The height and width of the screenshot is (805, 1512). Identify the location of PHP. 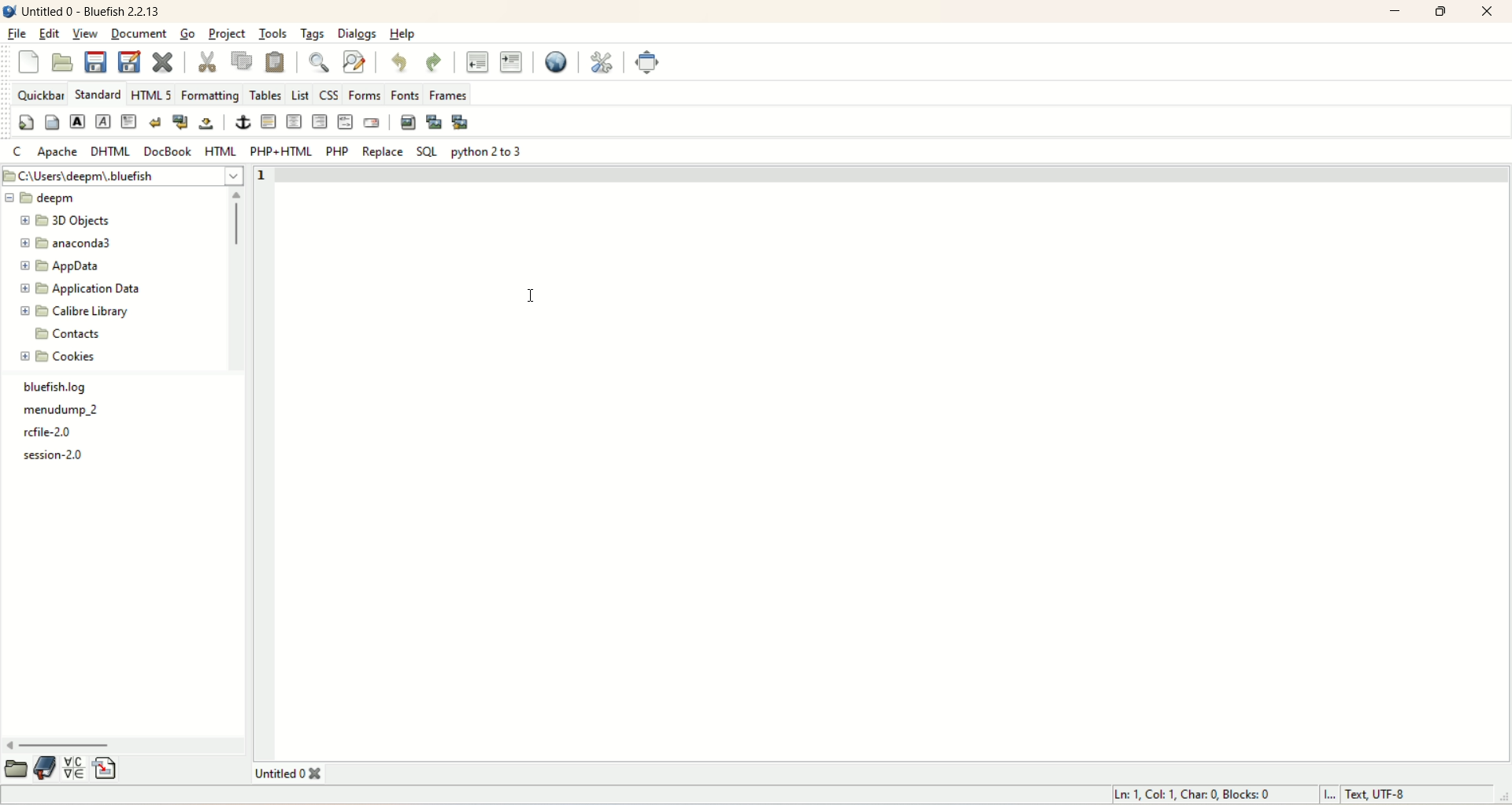
(338, 150).